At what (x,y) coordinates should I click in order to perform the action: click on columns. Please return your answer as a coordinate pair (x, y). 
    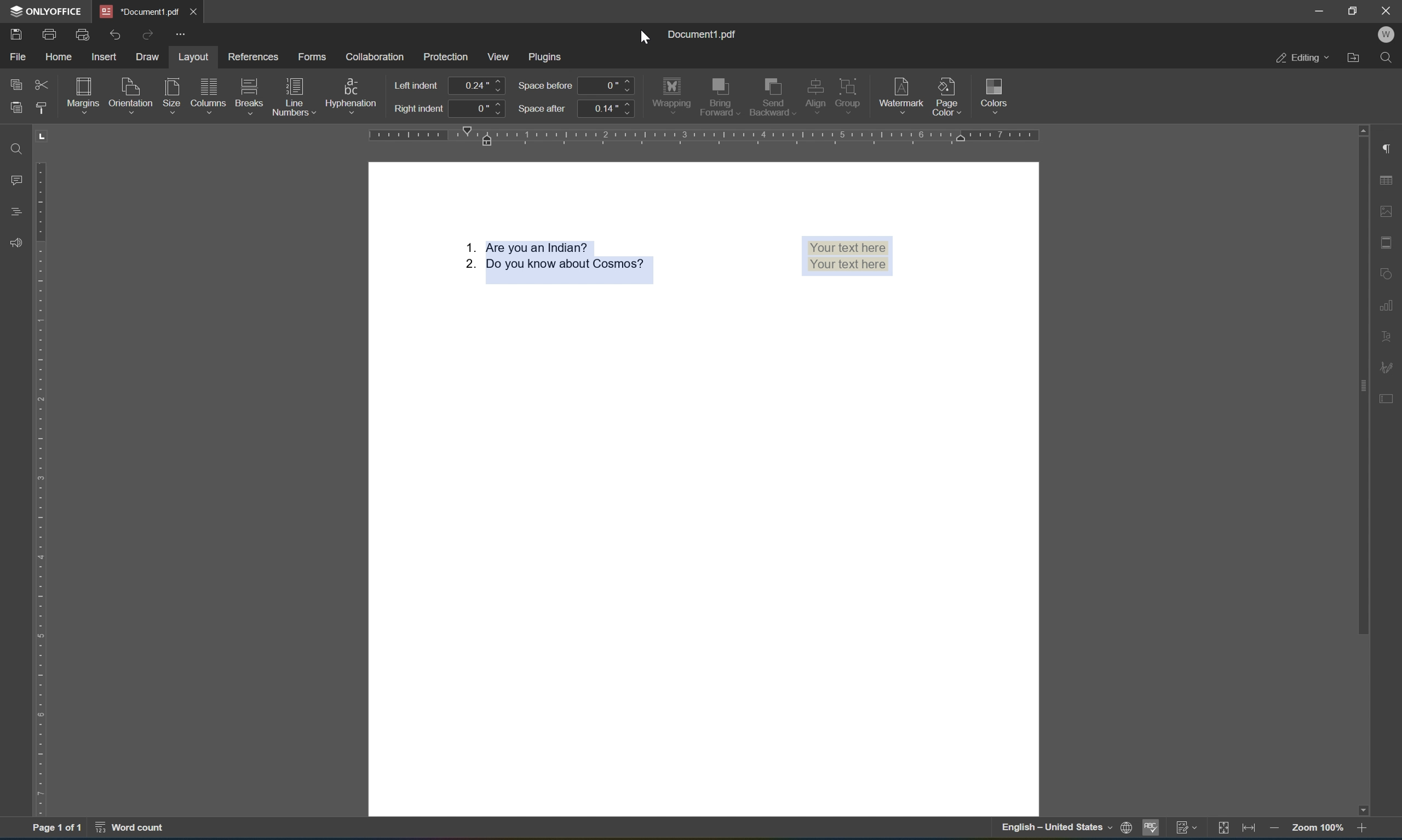
    Looking at the image, I should click on (208, 94).